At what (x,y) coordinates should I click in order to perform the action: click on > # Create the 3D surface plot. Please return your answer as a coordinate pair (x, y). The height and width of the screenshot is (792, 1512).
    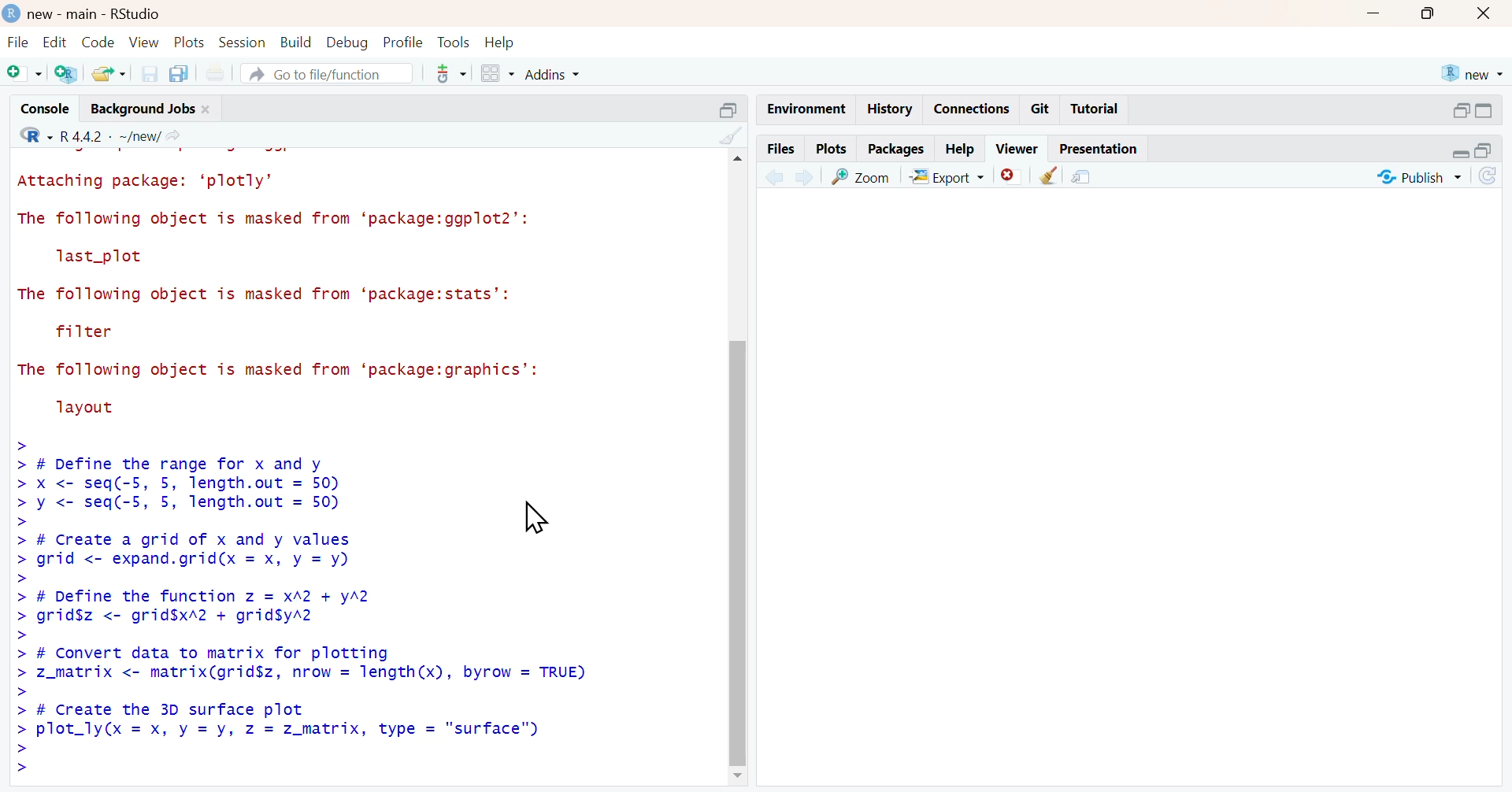
    Looking at the image, I should click on (157, 711).